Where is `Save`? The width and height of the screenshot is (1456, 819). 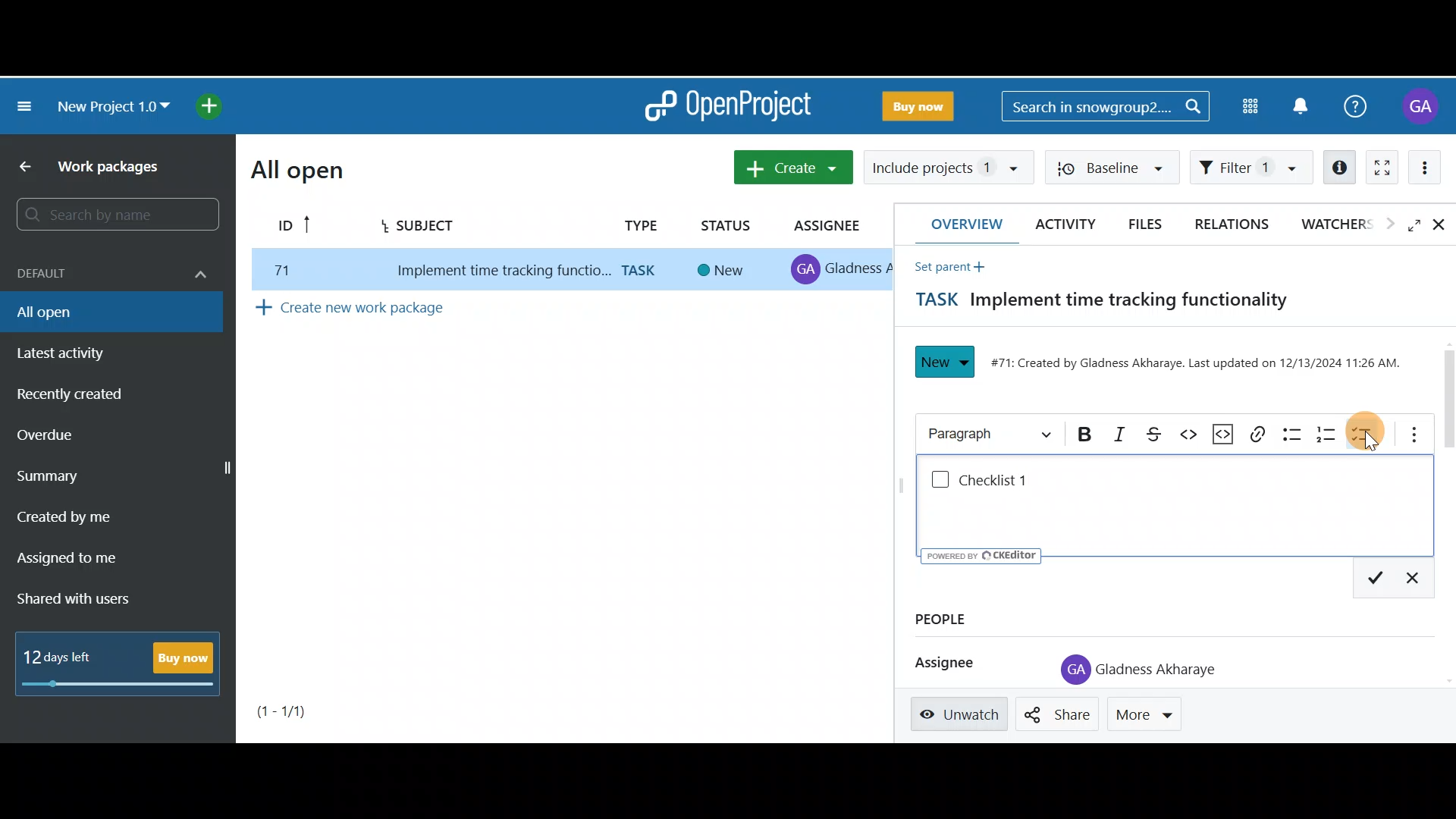 Save is located at coordinates (1379, 579).